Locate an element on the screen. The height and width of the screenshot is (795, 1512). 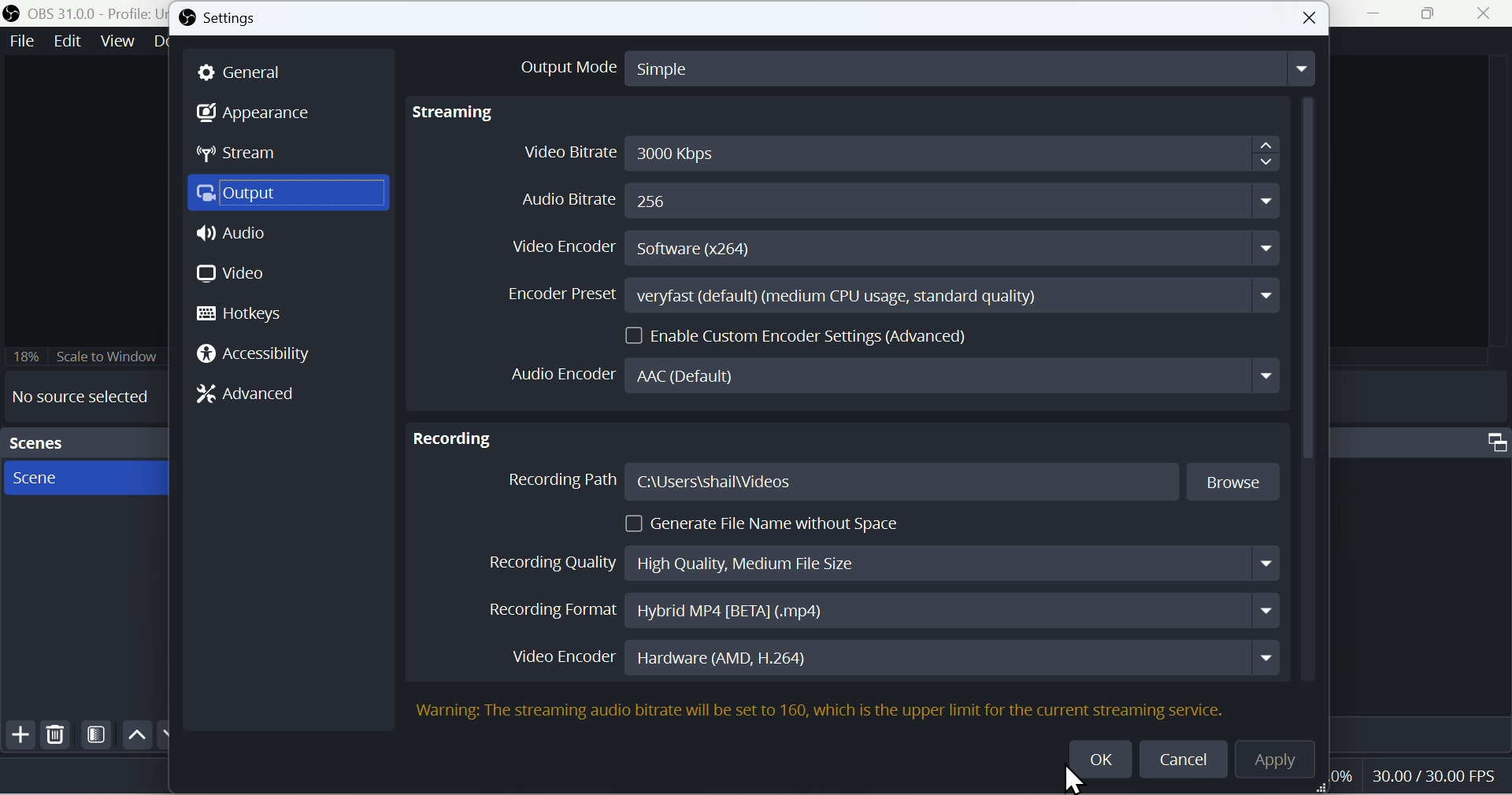
Filter is located at coordinates (97, 738).